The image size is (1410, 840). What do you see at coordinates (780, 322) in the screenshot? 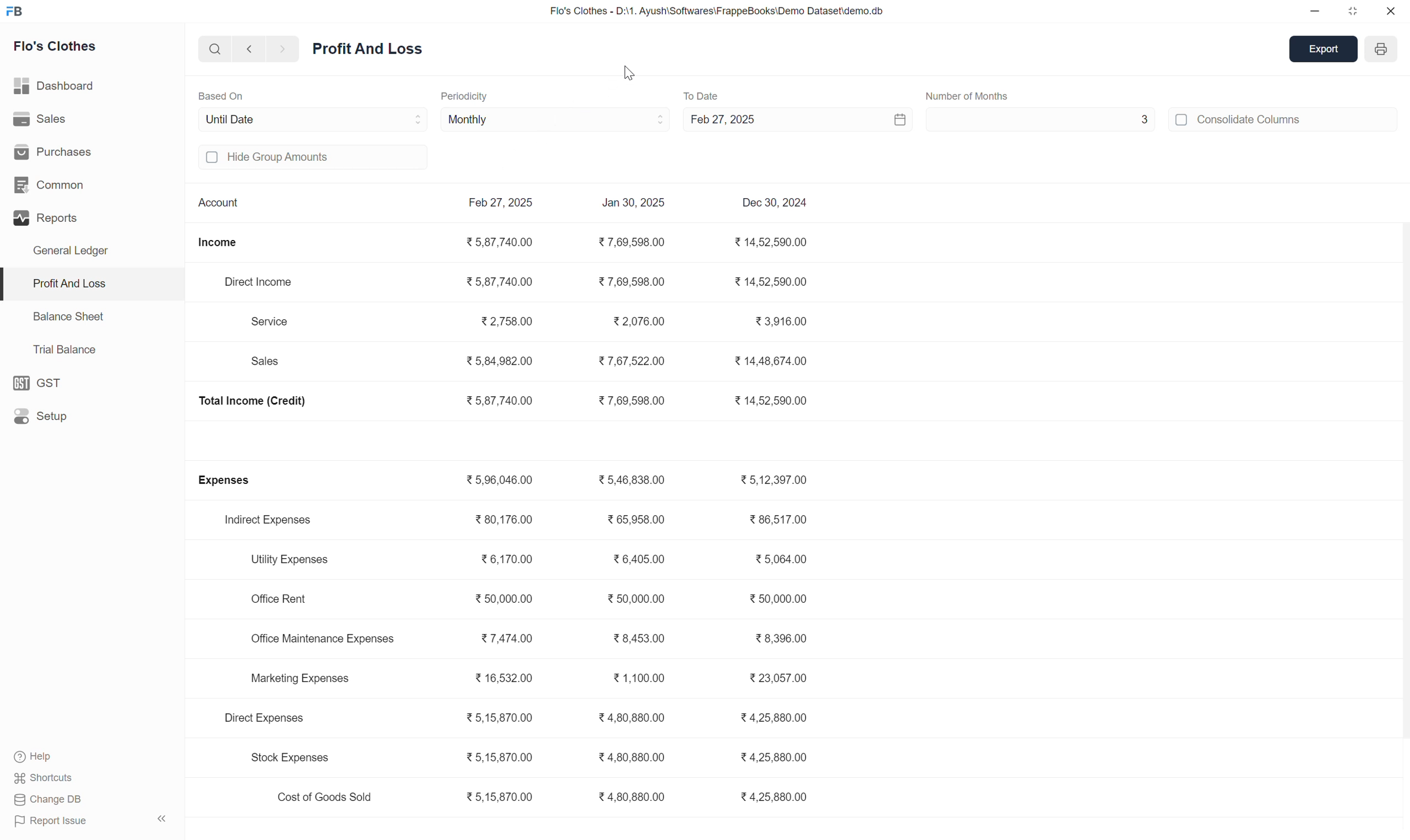
I see `₹3,916.00` at bounding box center [780, 322].